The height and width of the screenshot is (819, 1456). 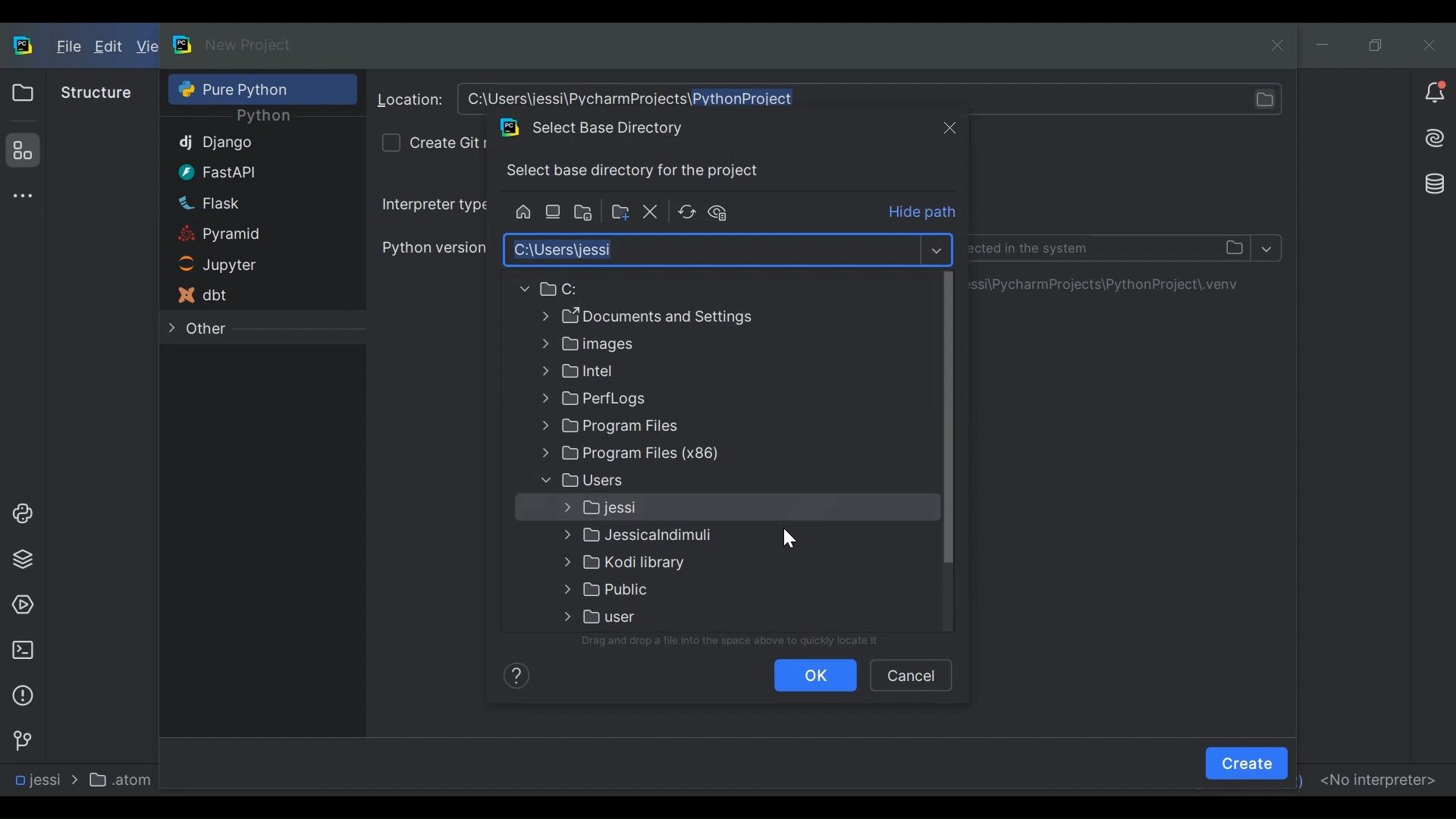 I want to click on Directories, so click(x=874, y=98).